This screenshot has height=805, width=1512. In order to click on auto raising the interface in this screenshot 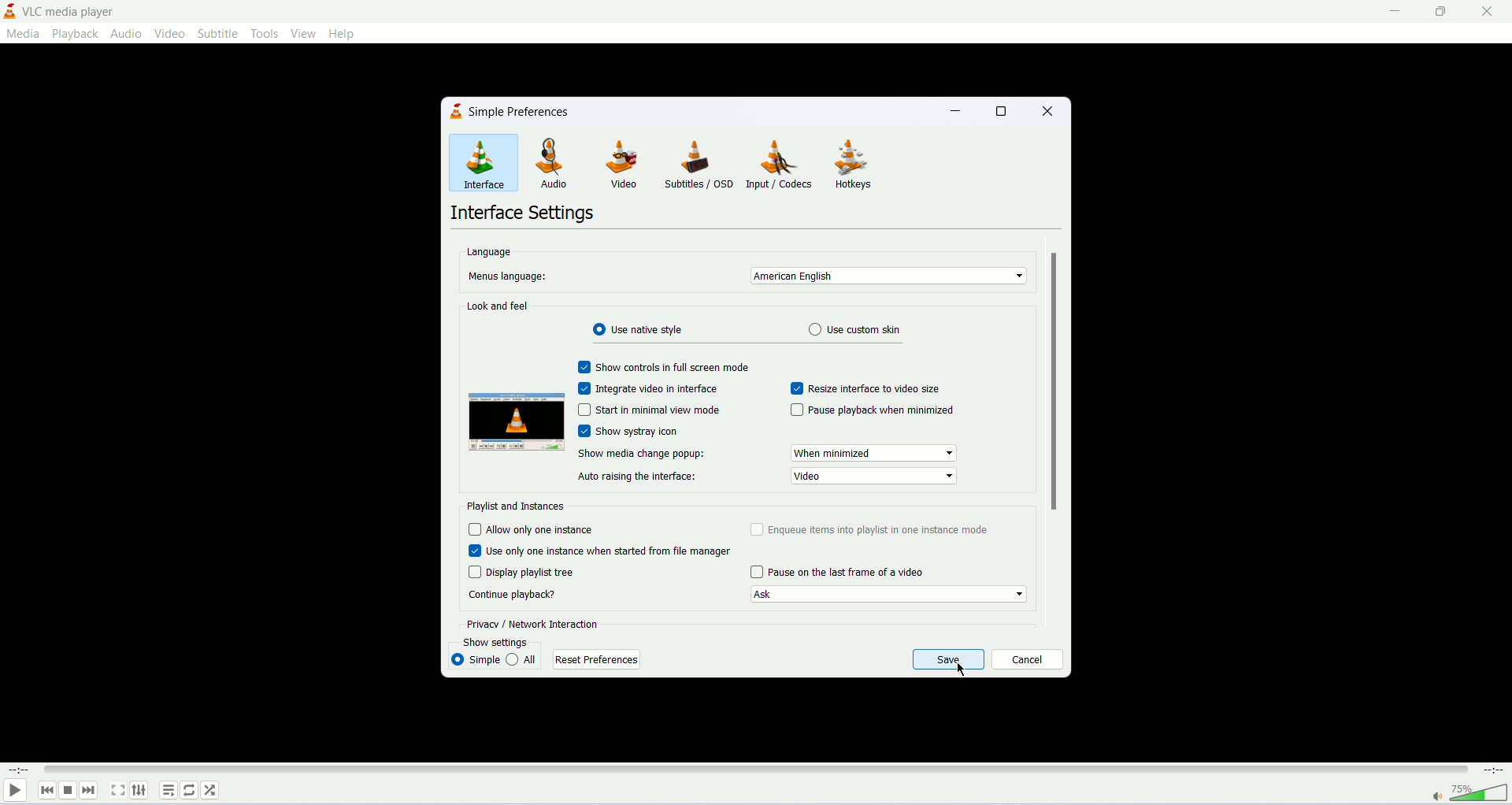, I will do `click(637, 477)`.